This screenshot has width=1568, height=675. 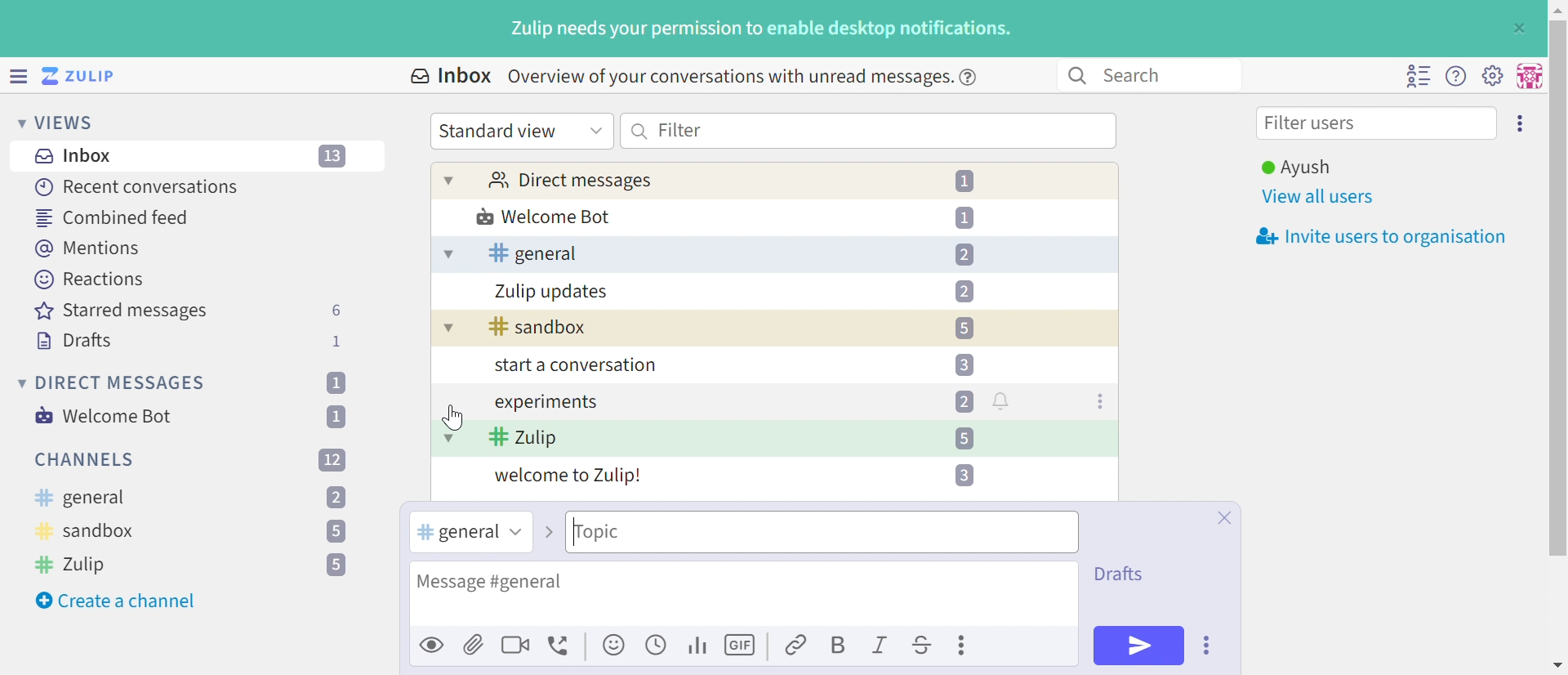 I want to click on Drop Down, so click(x=19, y=382).